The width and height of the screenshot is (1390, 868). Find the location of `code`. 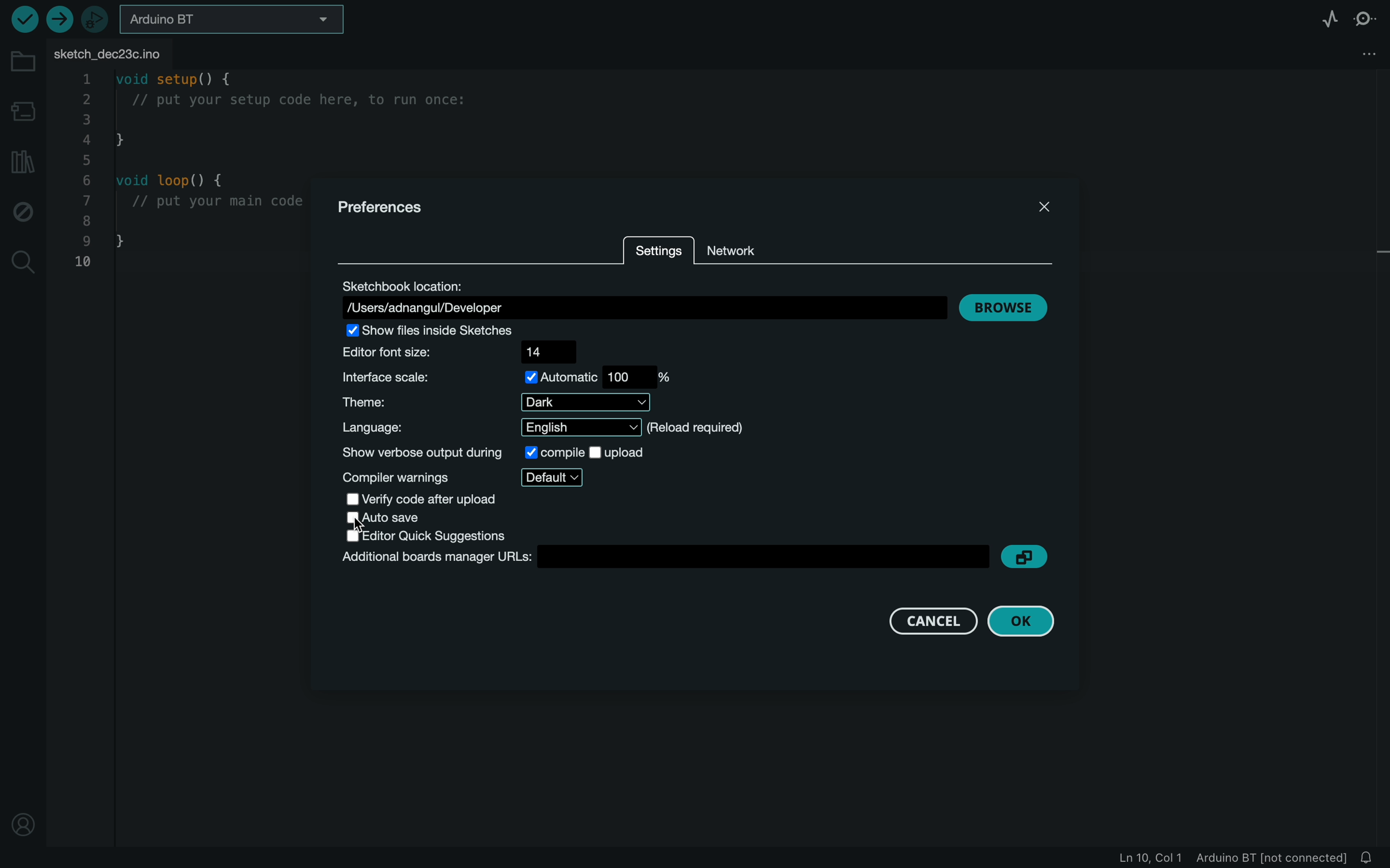

code is located at coordinates (186, 175).